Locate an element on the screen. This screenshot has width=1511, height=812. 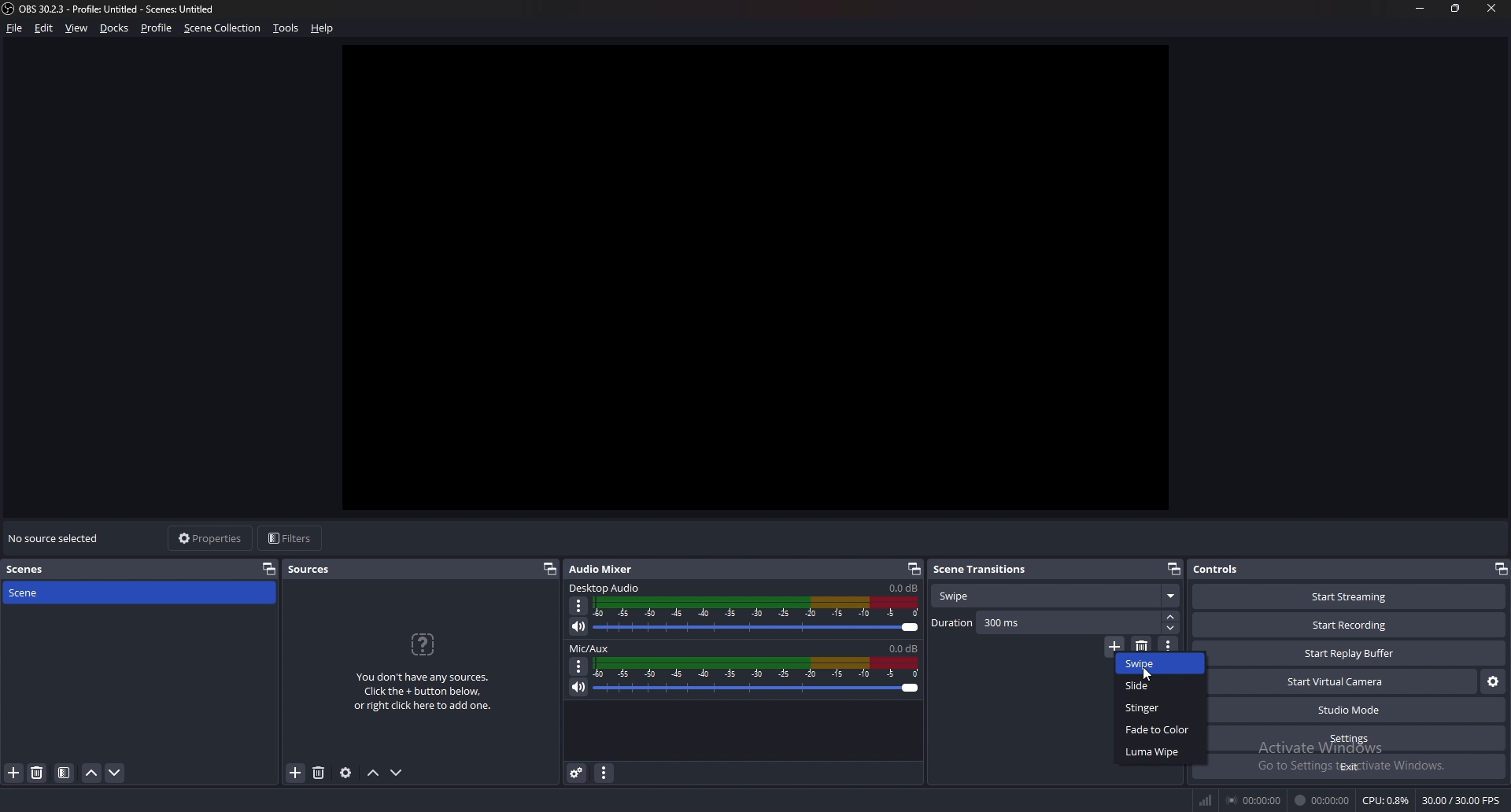
file is located at coordinates (15, 28).